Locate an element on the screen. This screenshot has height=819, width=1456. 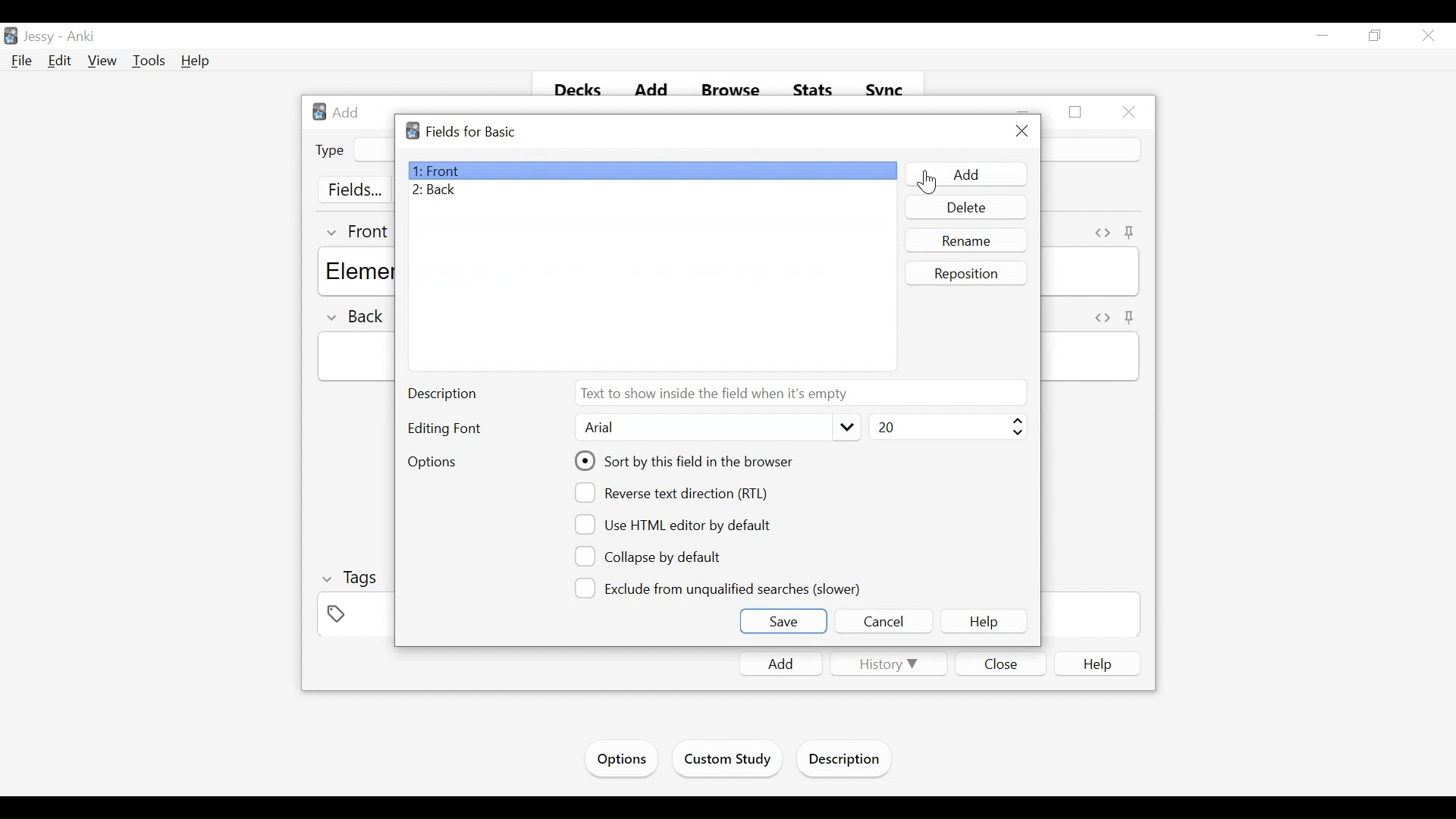
Restore is located at coordinates (1373, 36).